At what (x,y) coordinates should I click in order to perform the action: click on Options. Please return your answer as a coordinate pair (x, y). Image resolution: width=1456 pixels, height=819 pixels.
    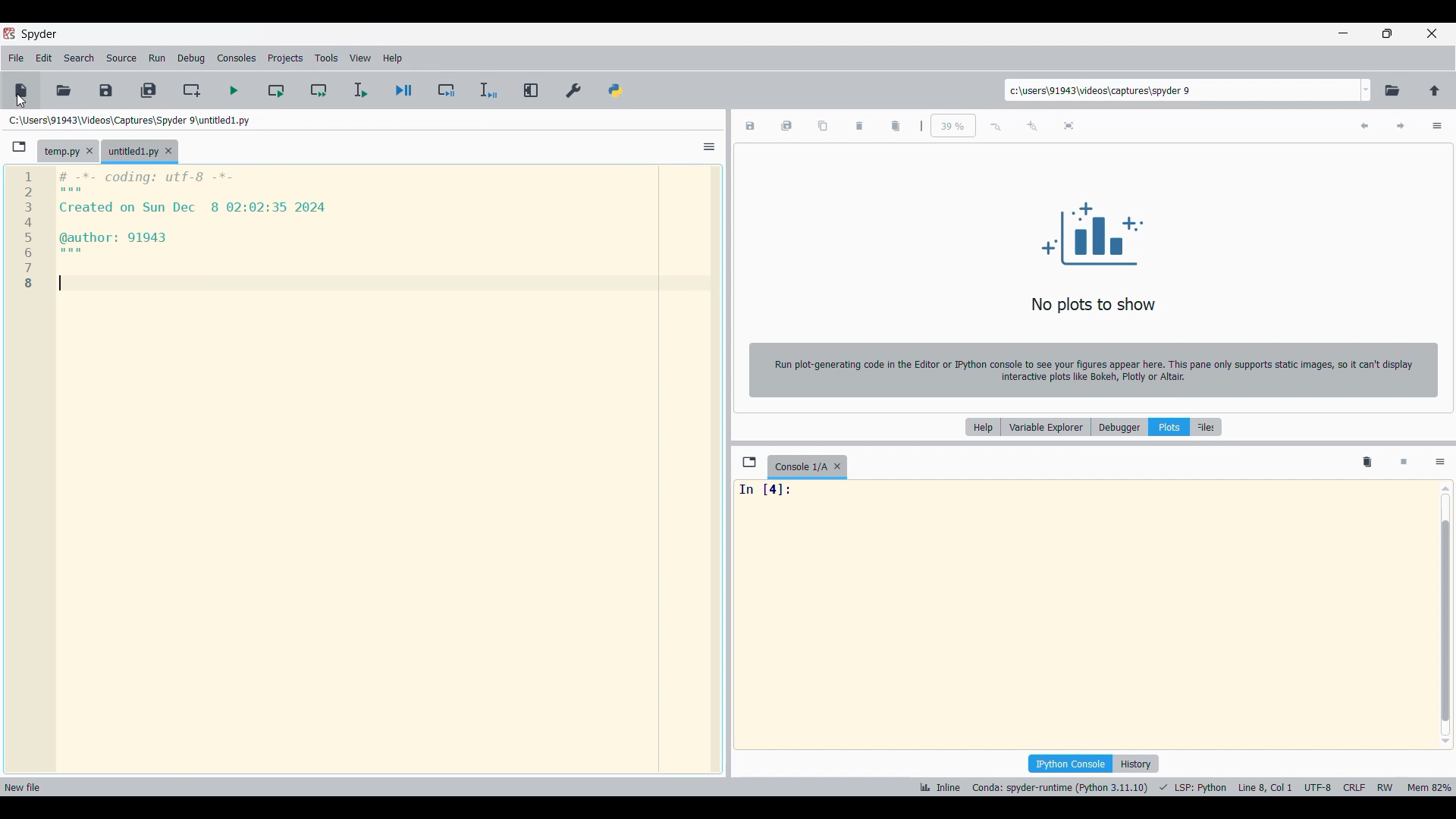
    Looking at the image, I should click on (1438, 126).